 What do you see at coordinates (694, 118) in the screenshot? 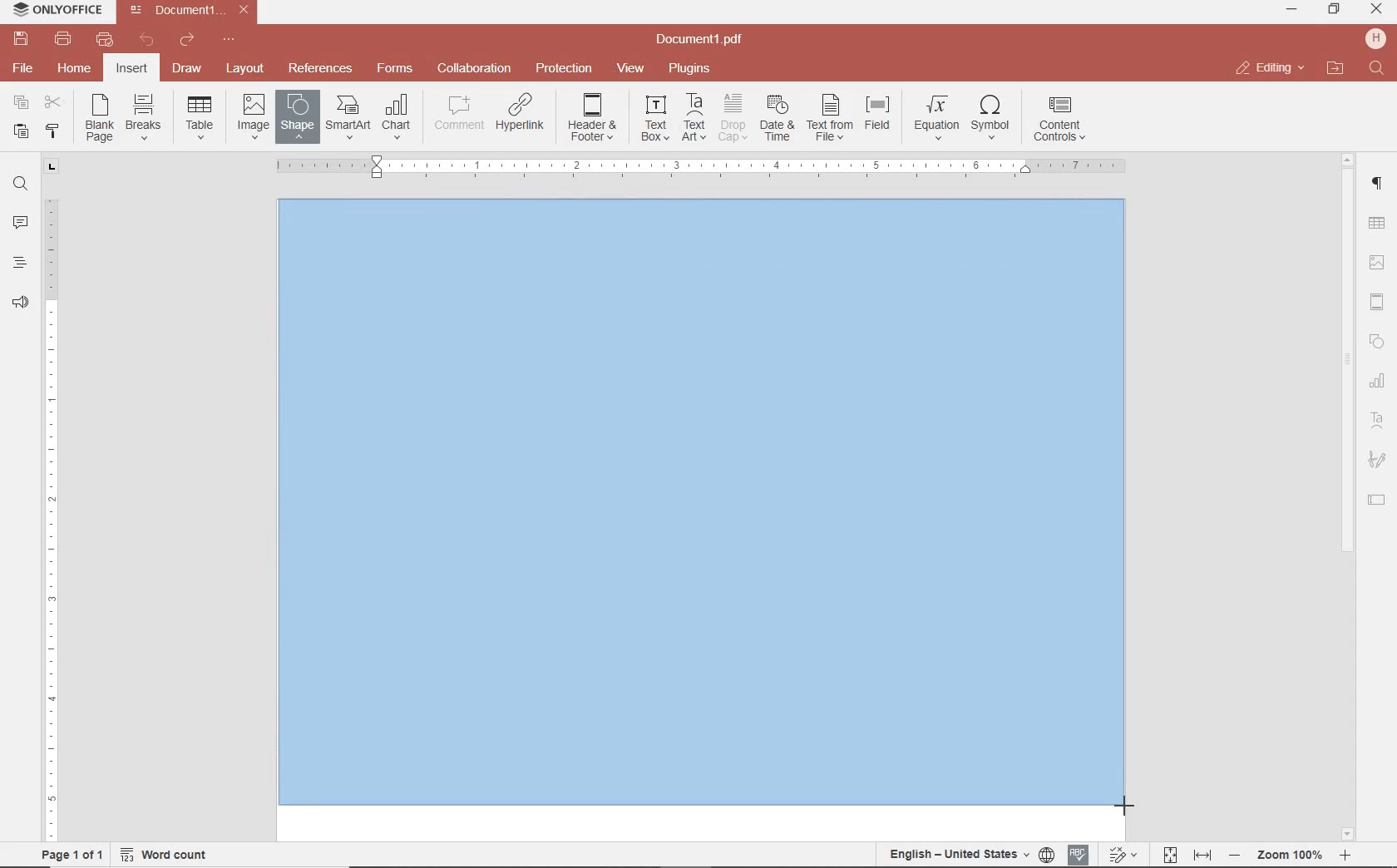
I see `INSERT TEXT ART` at bounding box center [694, 118].